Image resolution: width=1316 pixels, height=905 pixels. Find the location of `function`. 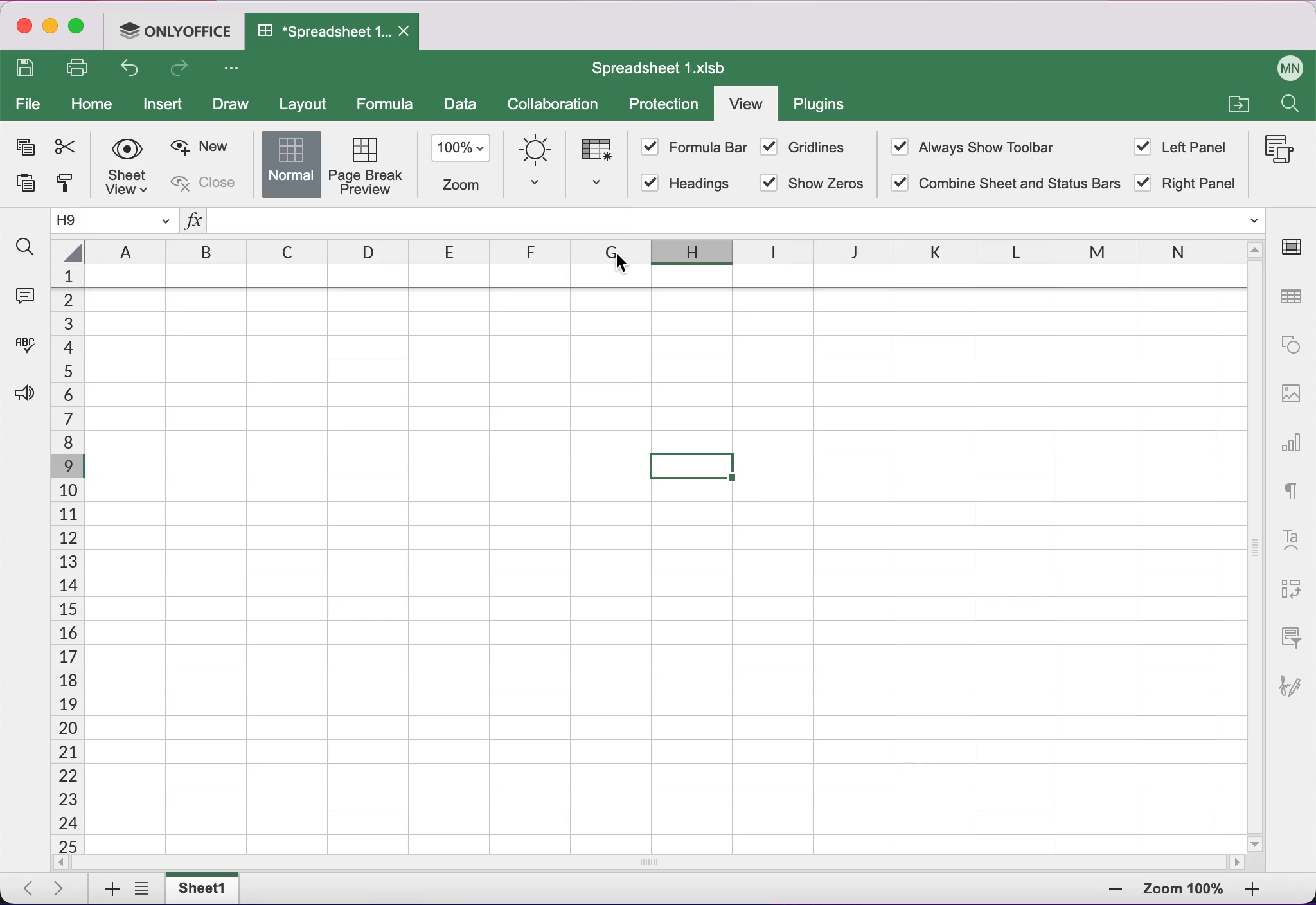

function is located at coordinates (722, 219).